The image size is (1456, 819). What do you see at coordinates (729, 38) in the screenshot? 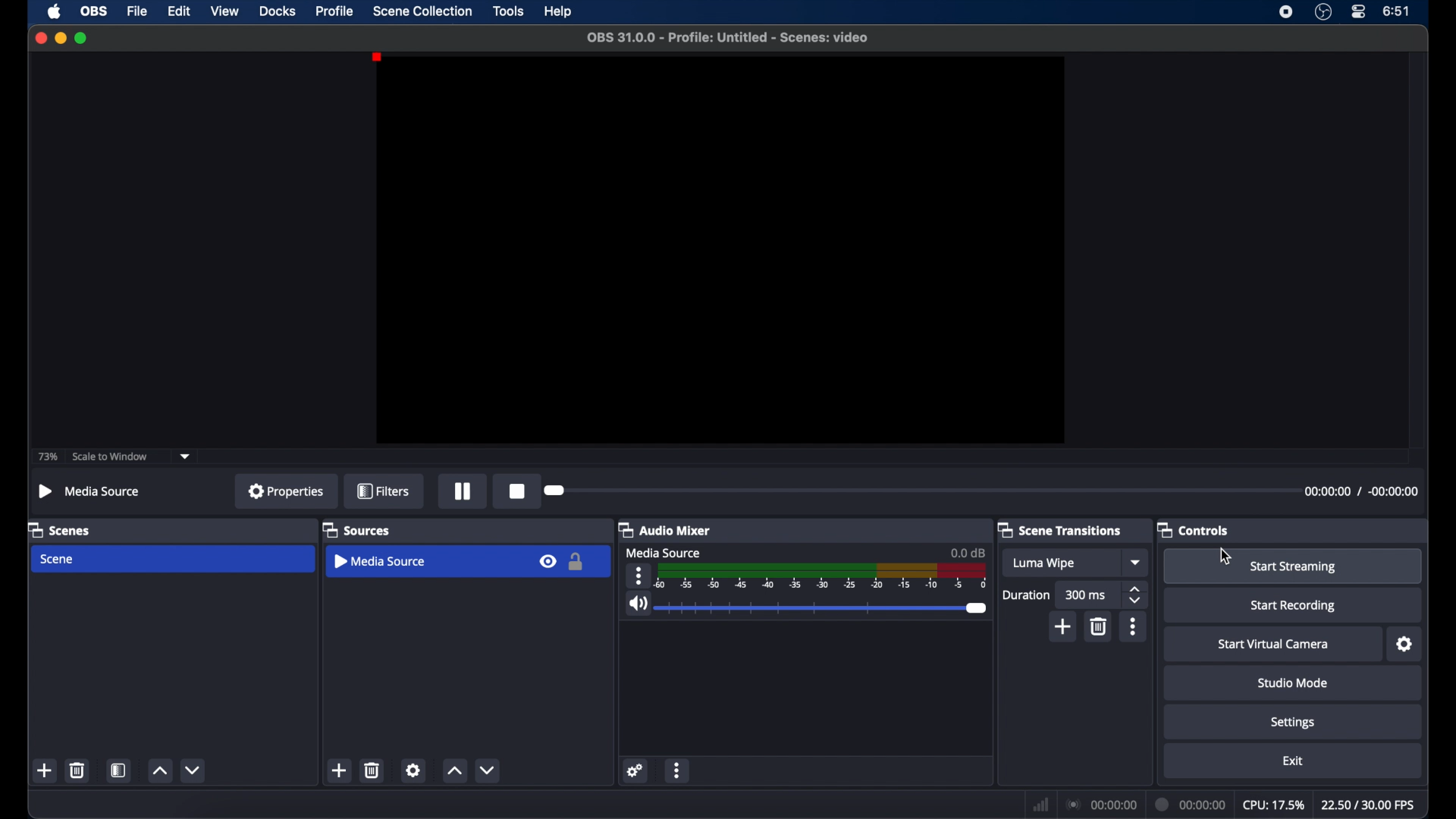
I see `filename` at bounding box center [729, 38].